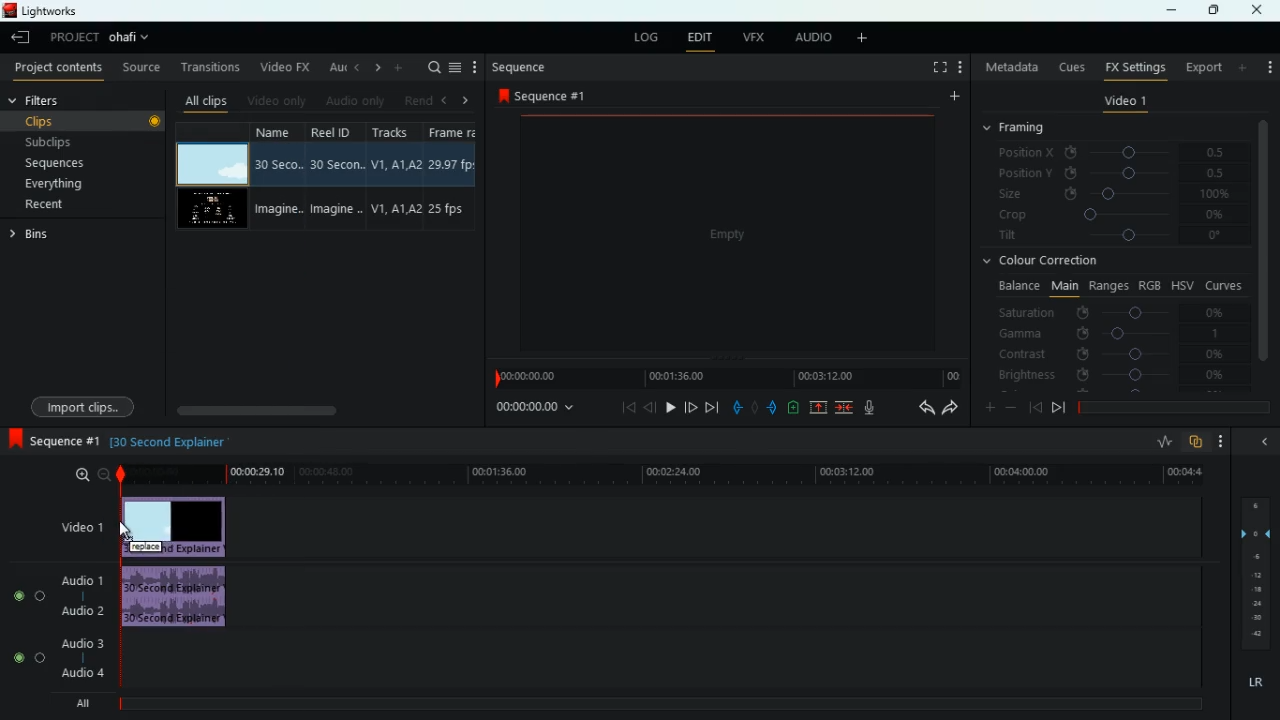  Describe the element at coordinates (1269, 66) in the screenshot. I see `add` at that location.